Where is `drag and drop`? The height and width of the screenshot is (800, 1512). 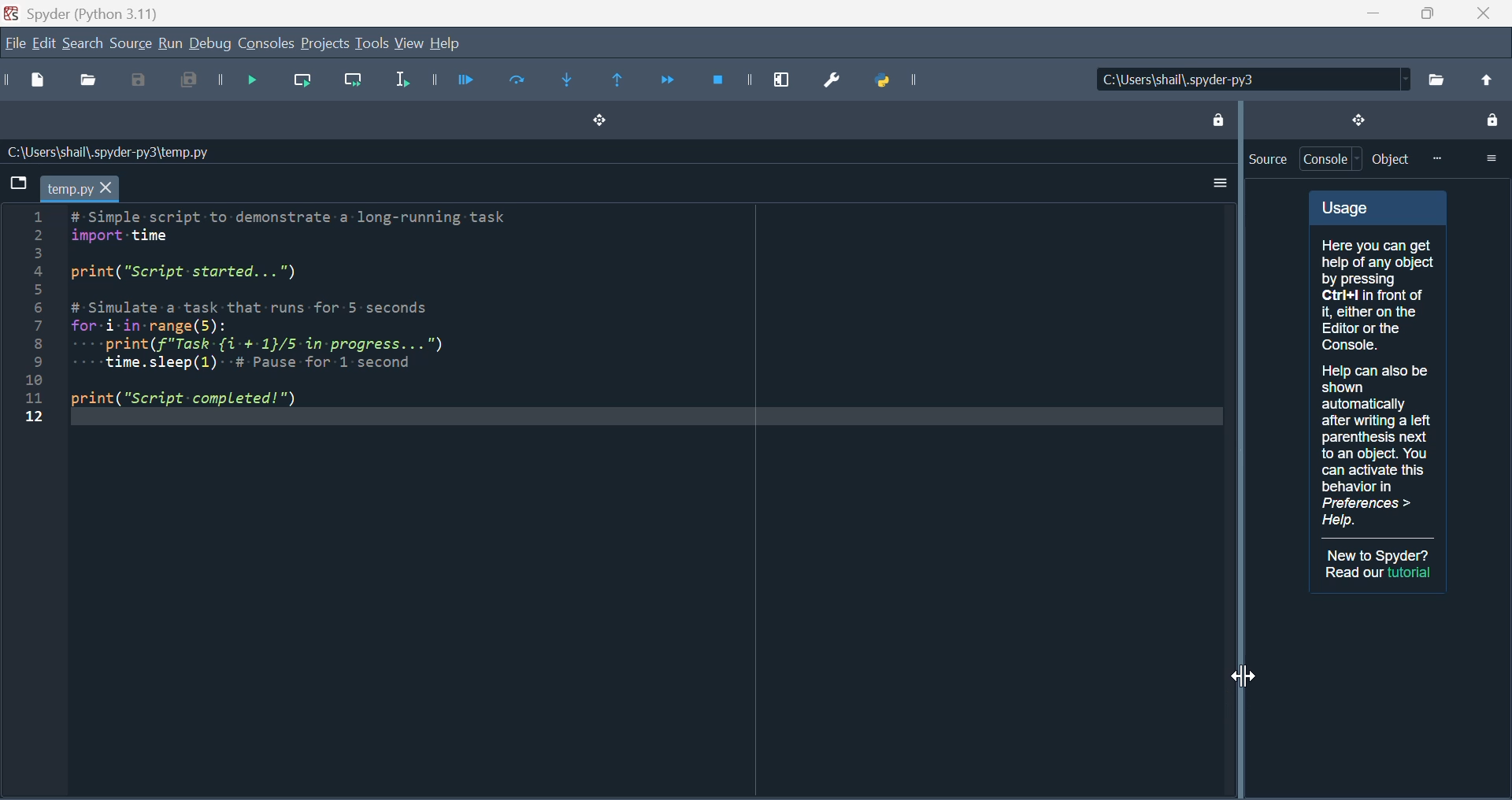 drag and drop is located at coordinates (1357, 119).